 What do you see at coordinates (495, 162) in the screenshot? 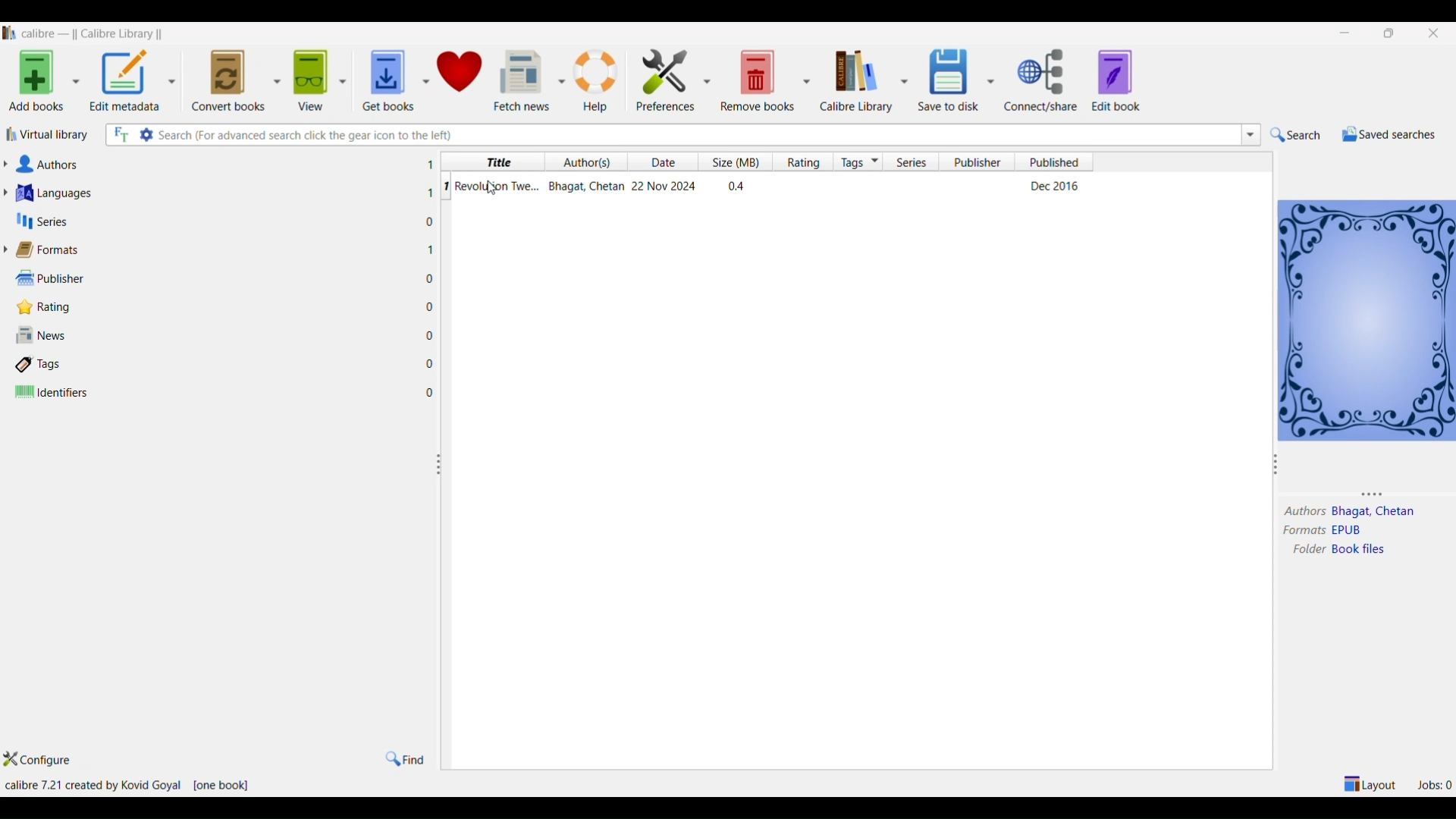
I see `title` at bounding box center [495, 162].